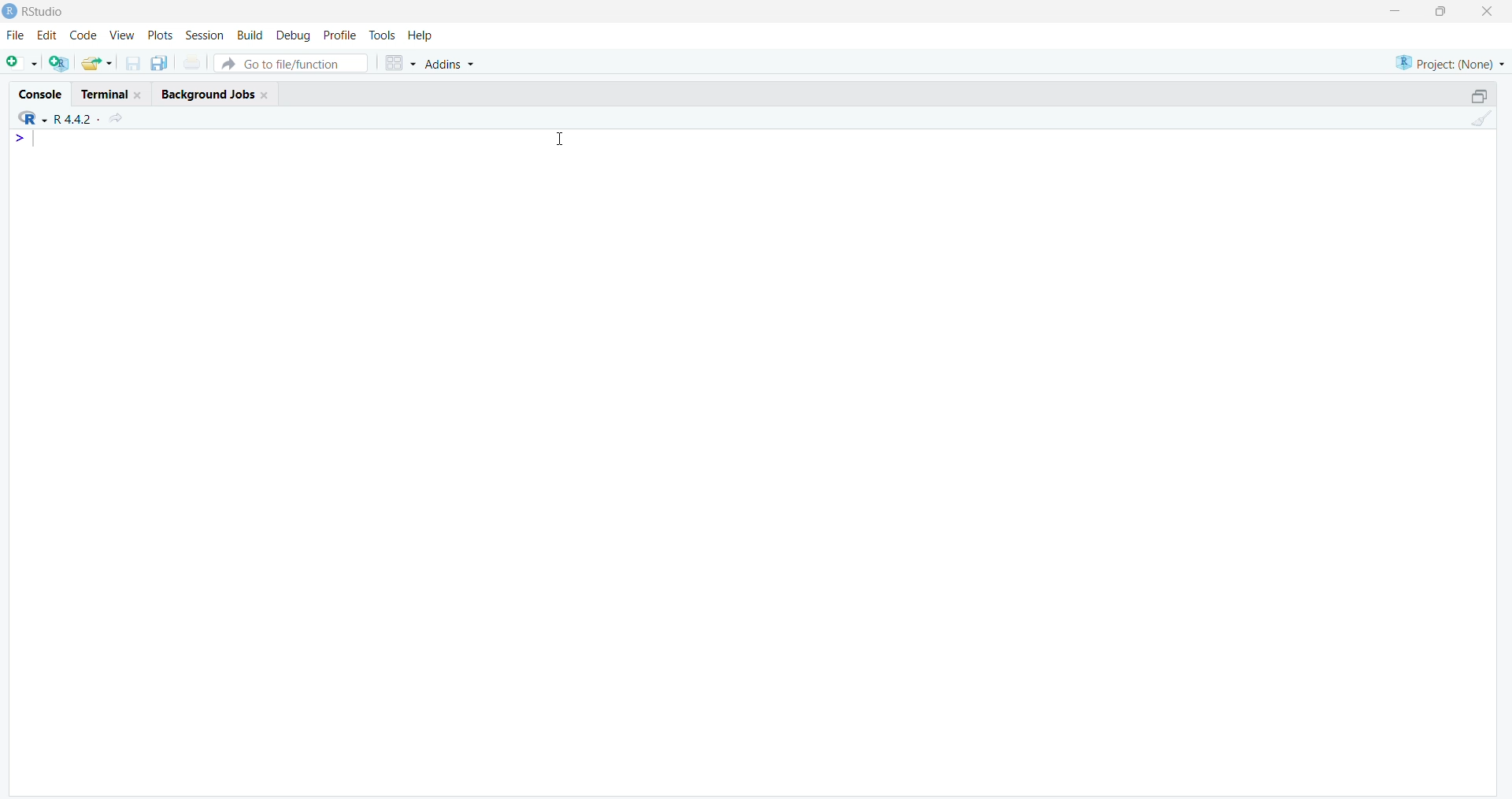  I want to click on Addins, so click(454, 65).